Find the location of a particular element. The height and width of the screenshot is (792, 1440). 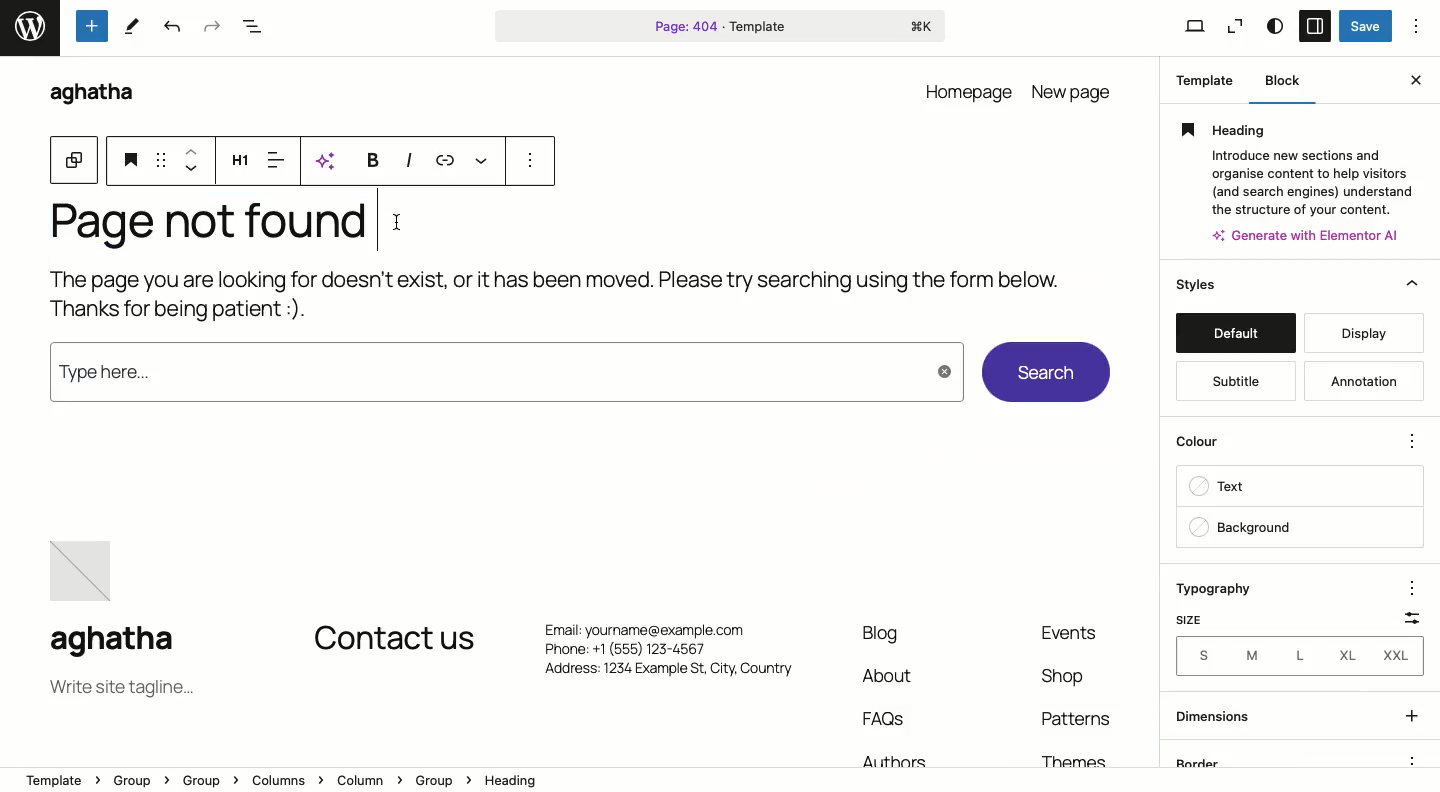

new page is located at coordinates (1075, 90).